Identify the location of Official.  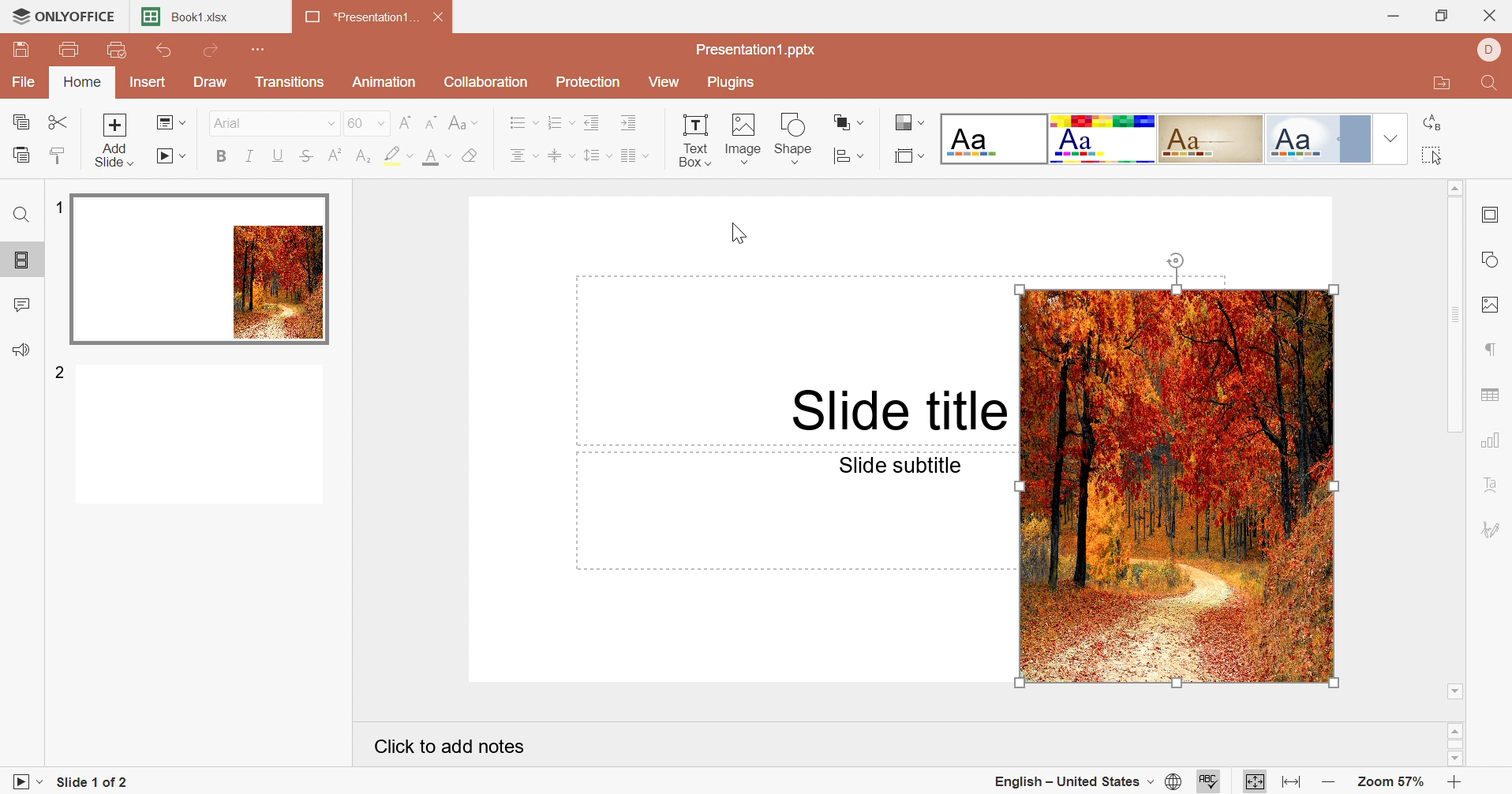
(1318, 139).